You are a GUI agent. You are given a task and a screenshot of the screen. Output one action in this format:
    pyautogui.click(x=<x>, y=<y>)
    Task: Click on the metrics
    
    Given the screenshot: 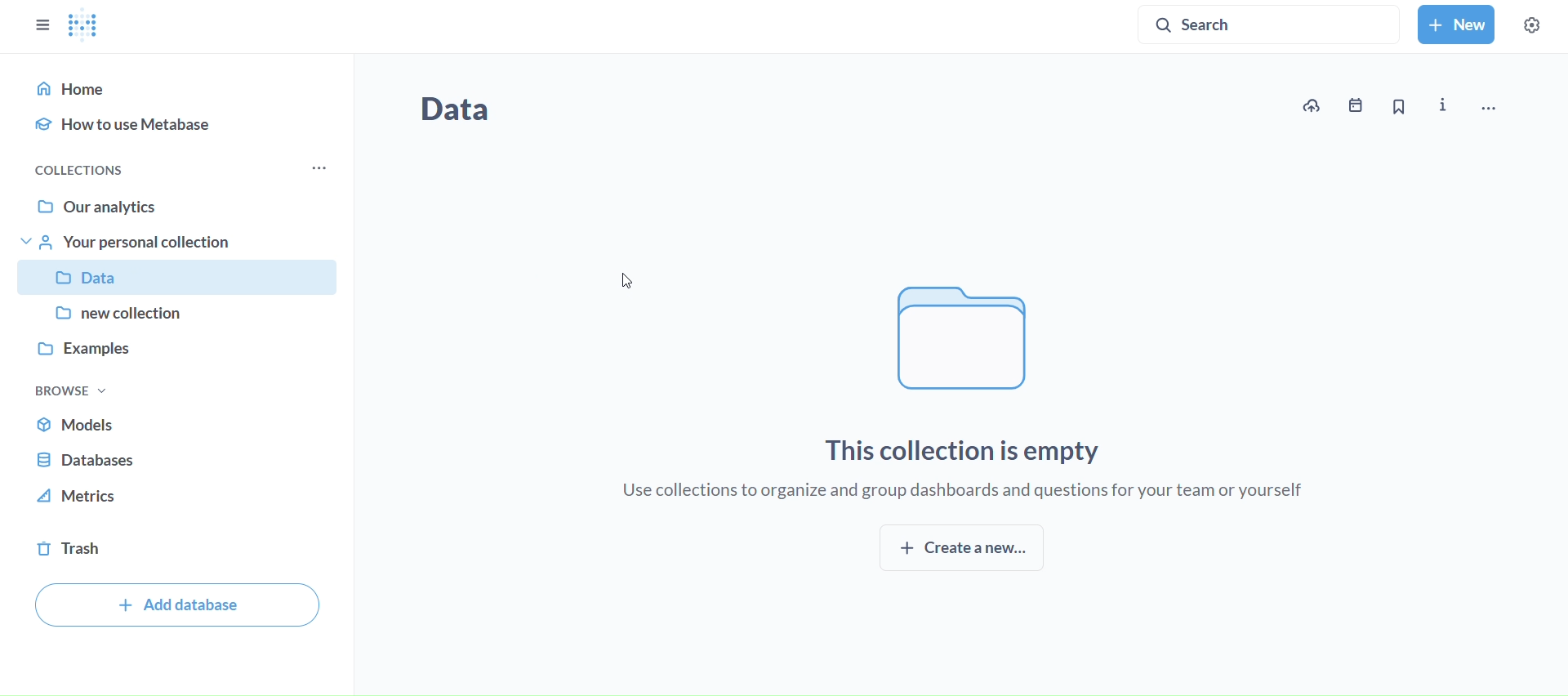 What is the action you would take?
    pyautogui.click(x=175, y=498)
    